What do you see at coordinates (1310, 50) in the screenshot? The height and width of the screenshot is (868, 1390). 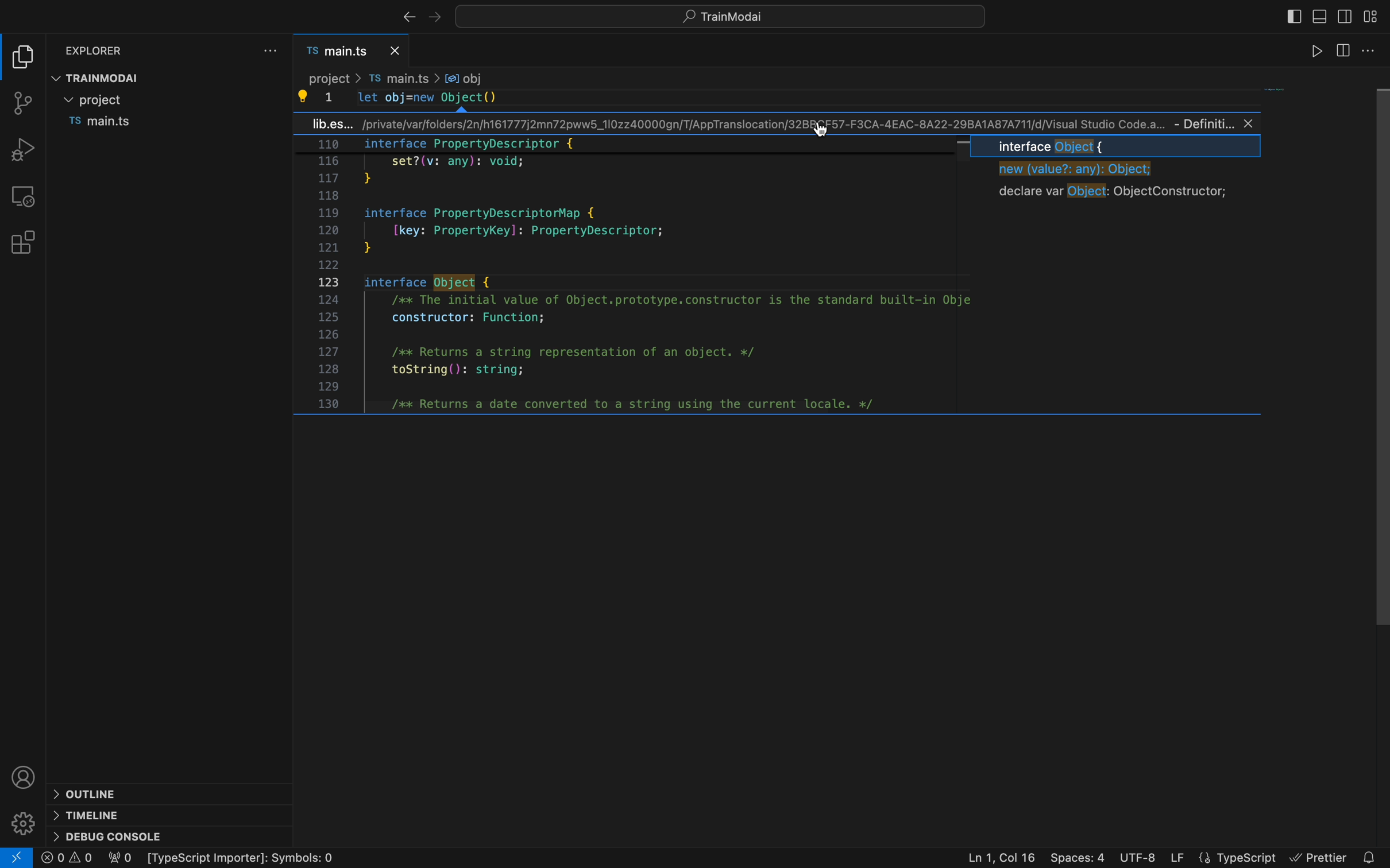 I see `runner` at bounding box center [1310, 50].